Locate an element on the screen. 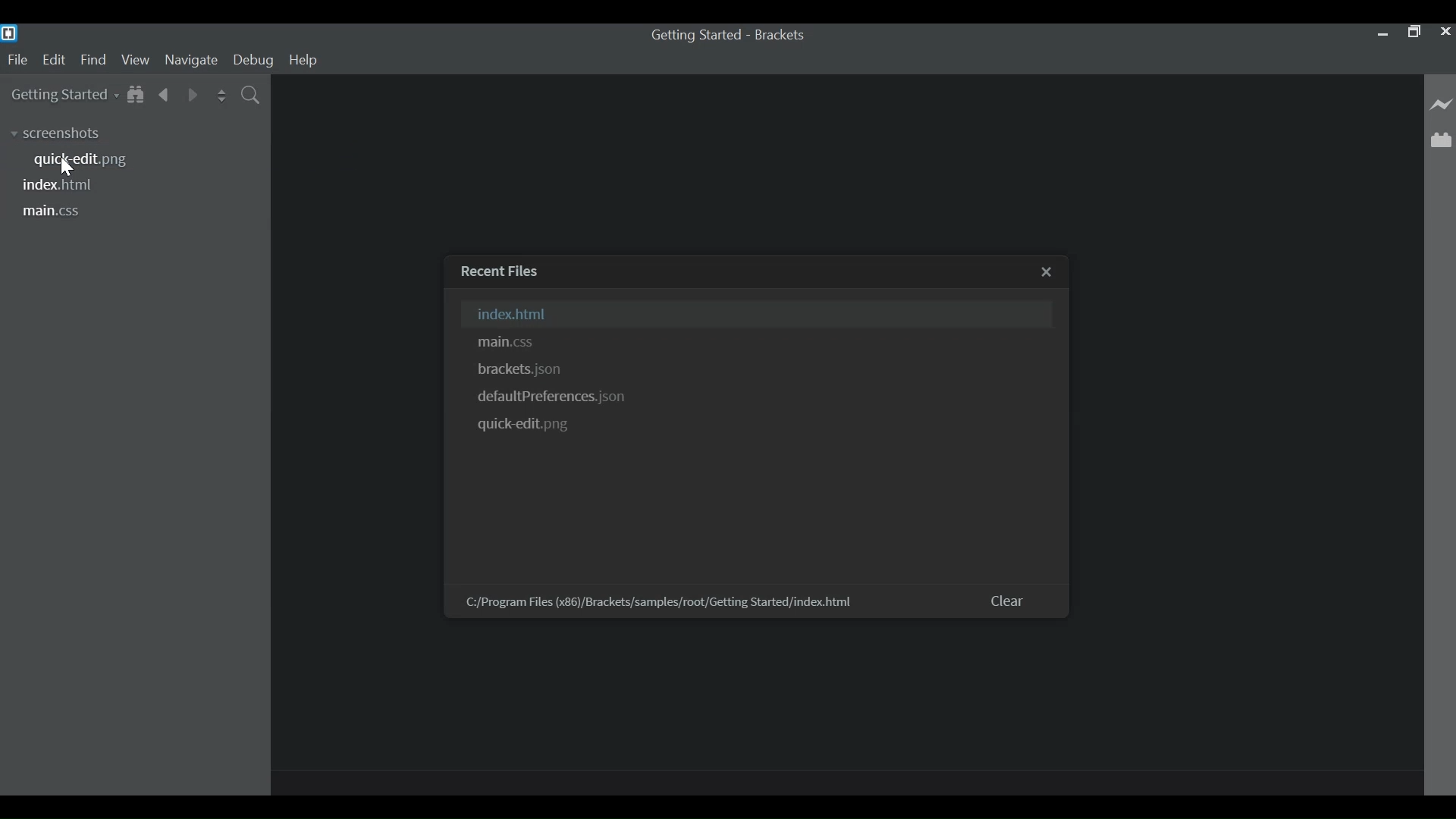  Cursor is located at coordinates (66, 168).